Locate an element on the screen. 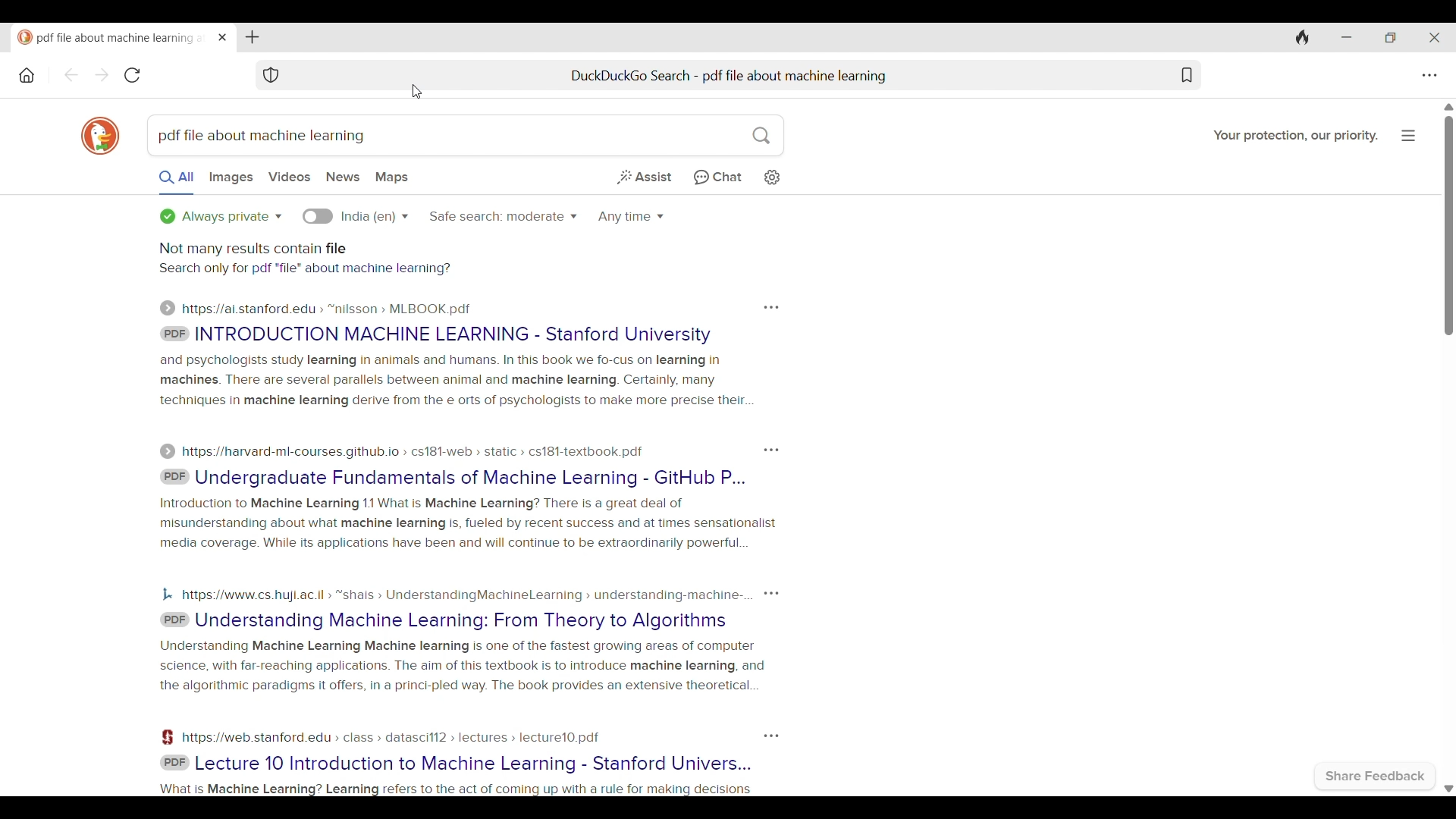 This screenshot has height=819, width=1456. Add new tab is located at coordinates (252, 37).